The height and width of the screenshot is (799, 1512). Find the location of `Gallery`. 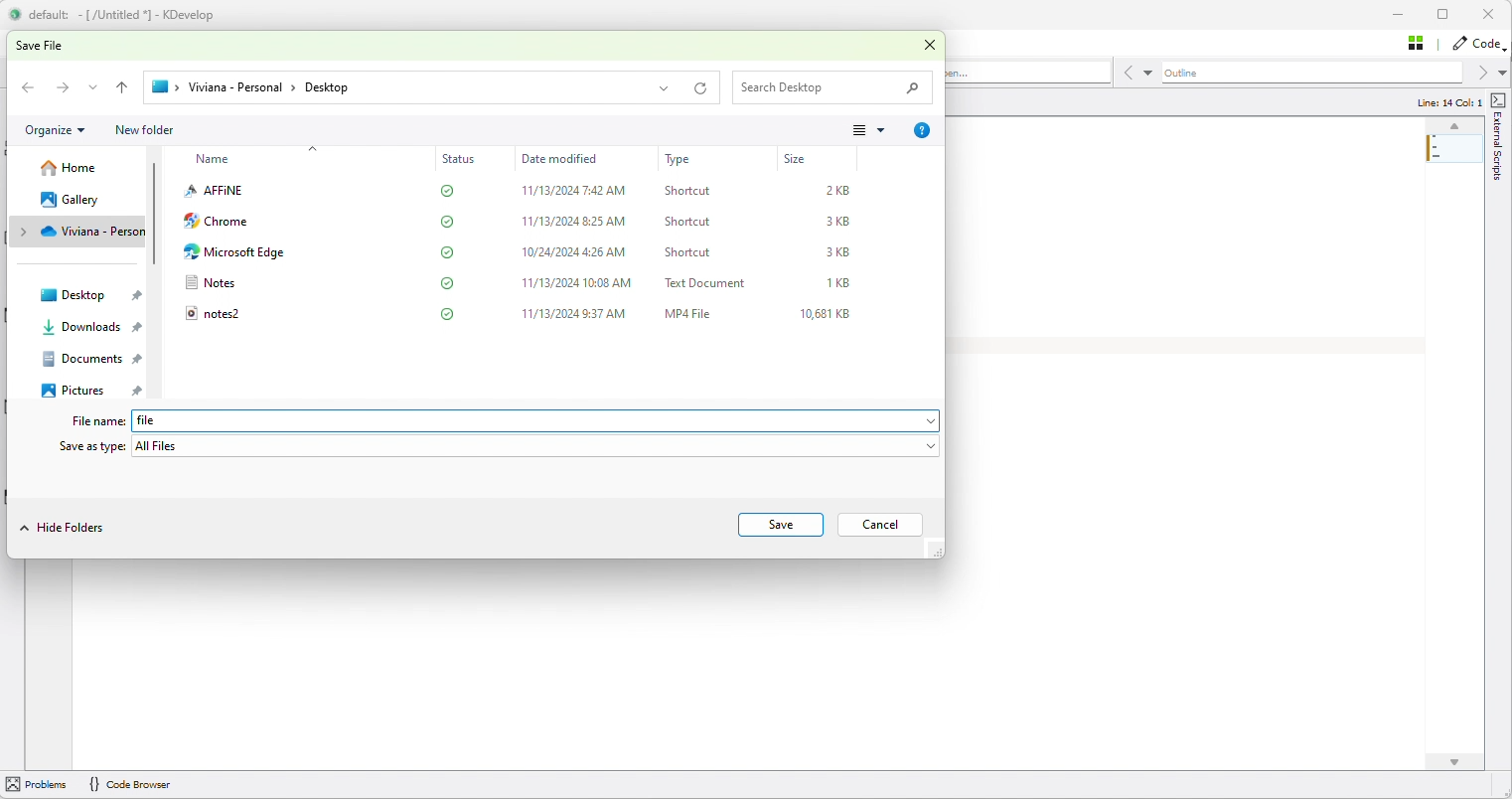

Gallery is located at coordinates (81, 201).